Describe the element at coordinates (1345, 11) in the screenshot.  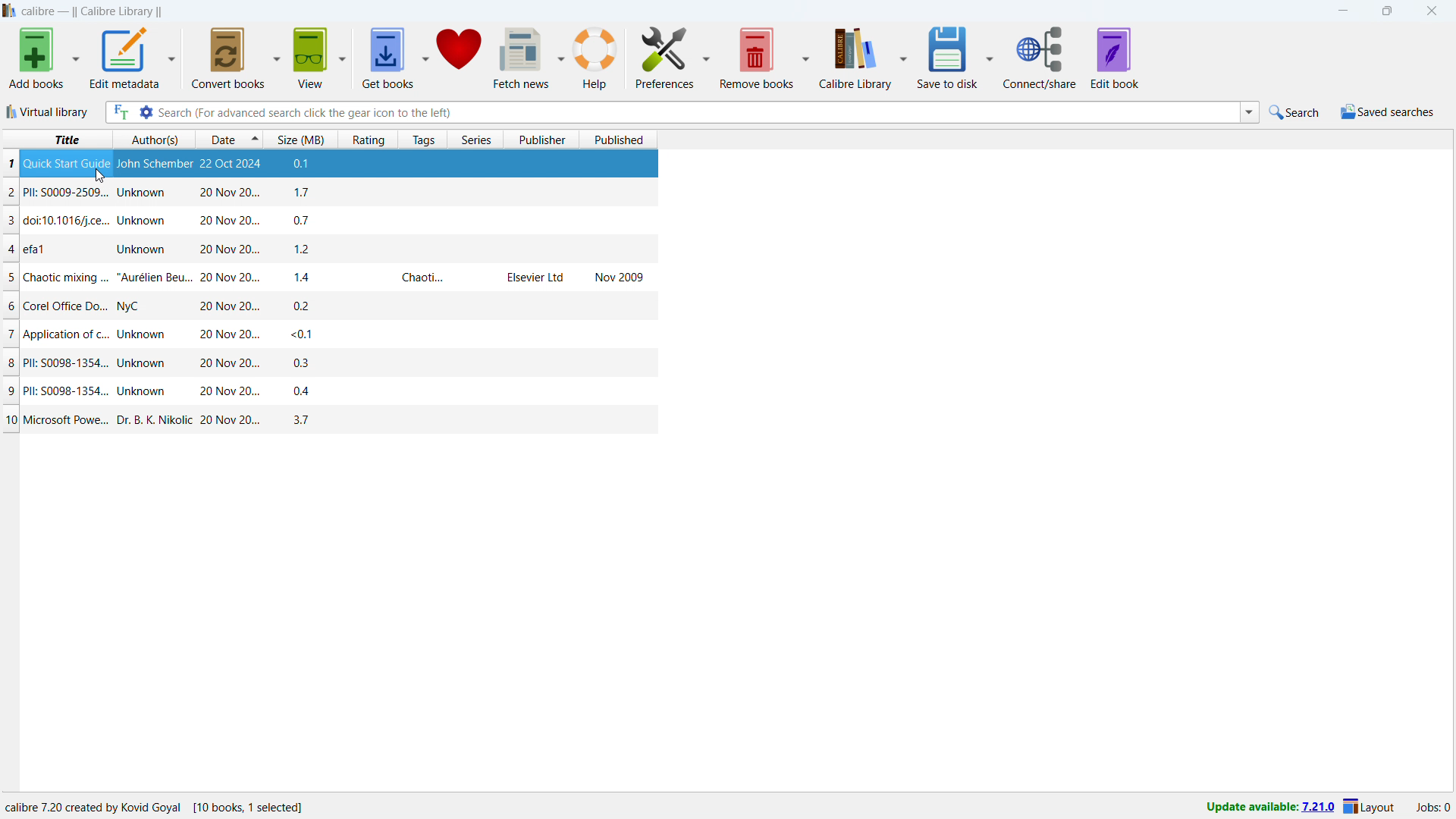
I see `minimize` at that location.